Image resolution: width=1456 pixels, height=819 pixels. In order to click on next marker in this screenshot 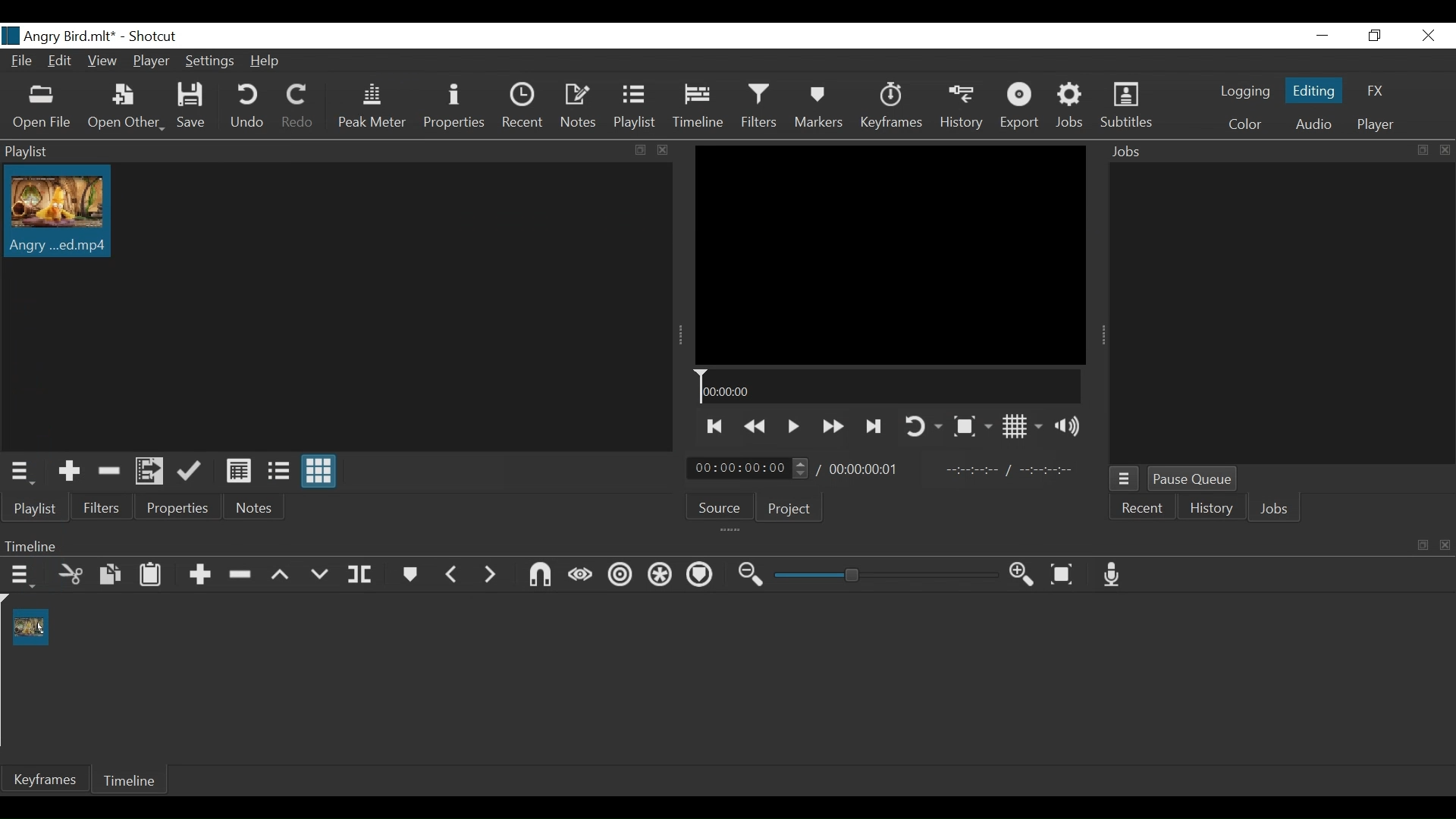, I will do `click(490, 574)`.